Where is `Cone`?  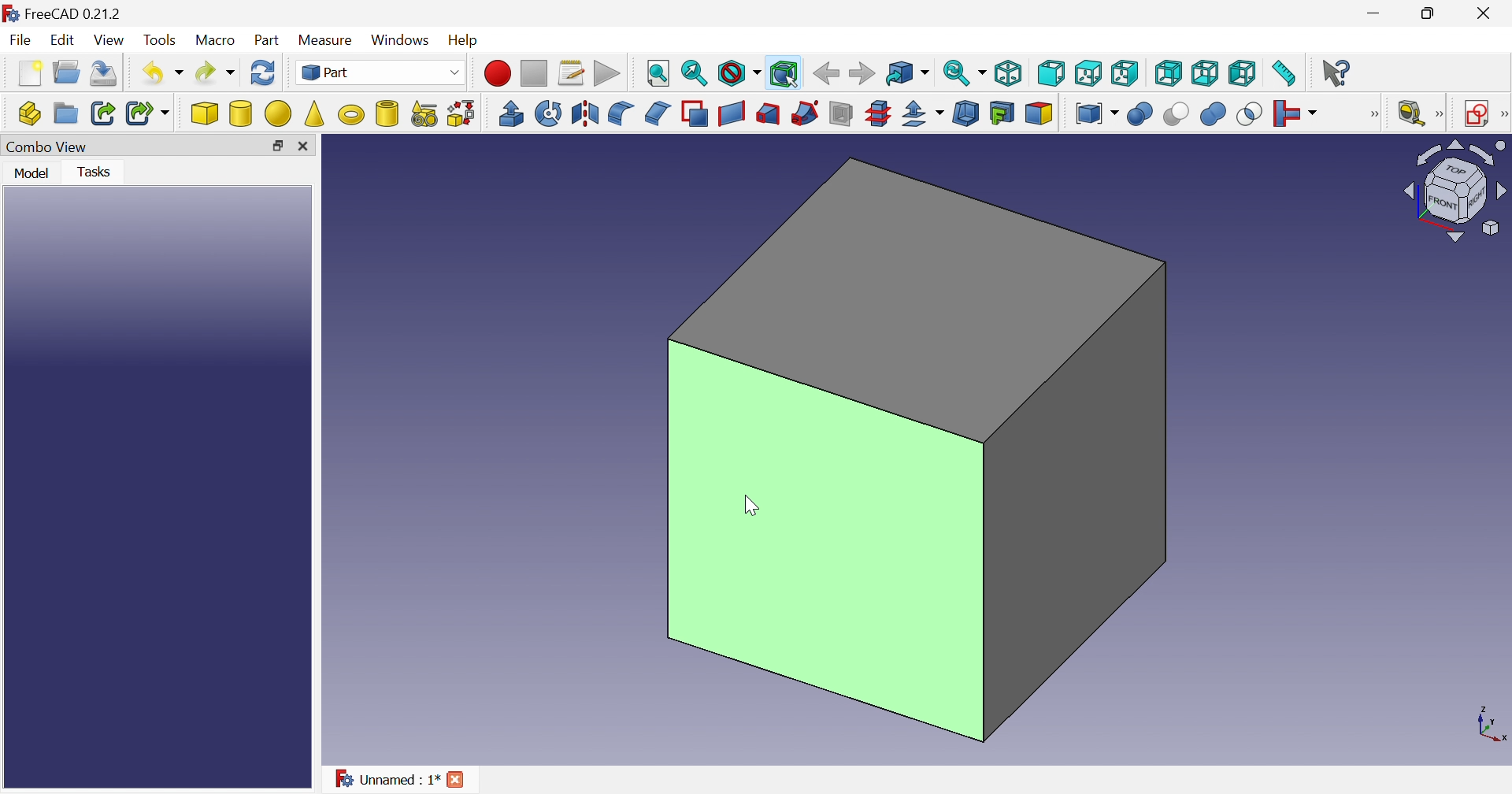
Cone is located at coordinates (316, 113).